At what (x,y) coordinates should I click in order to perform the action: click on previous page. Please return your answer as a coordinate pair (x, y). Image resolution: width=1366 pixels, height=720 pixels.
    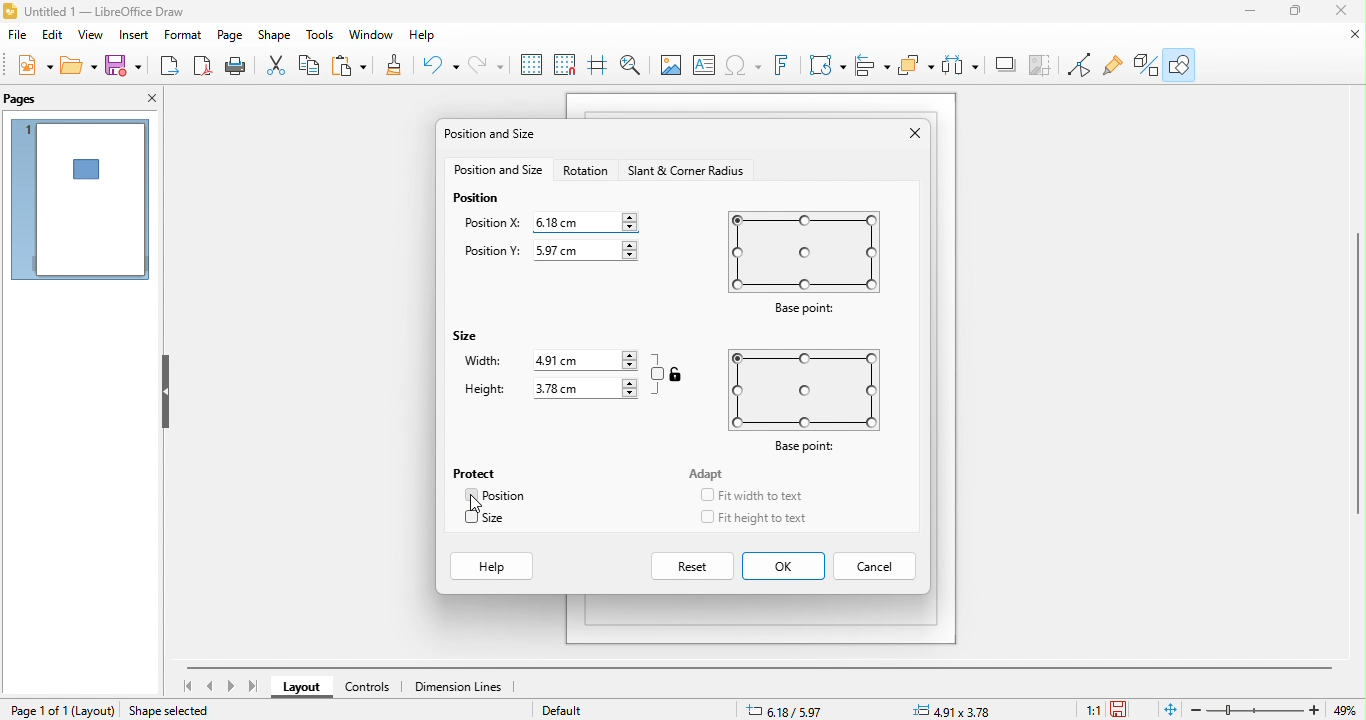
    Looking at the image, I should click on (212, 686).